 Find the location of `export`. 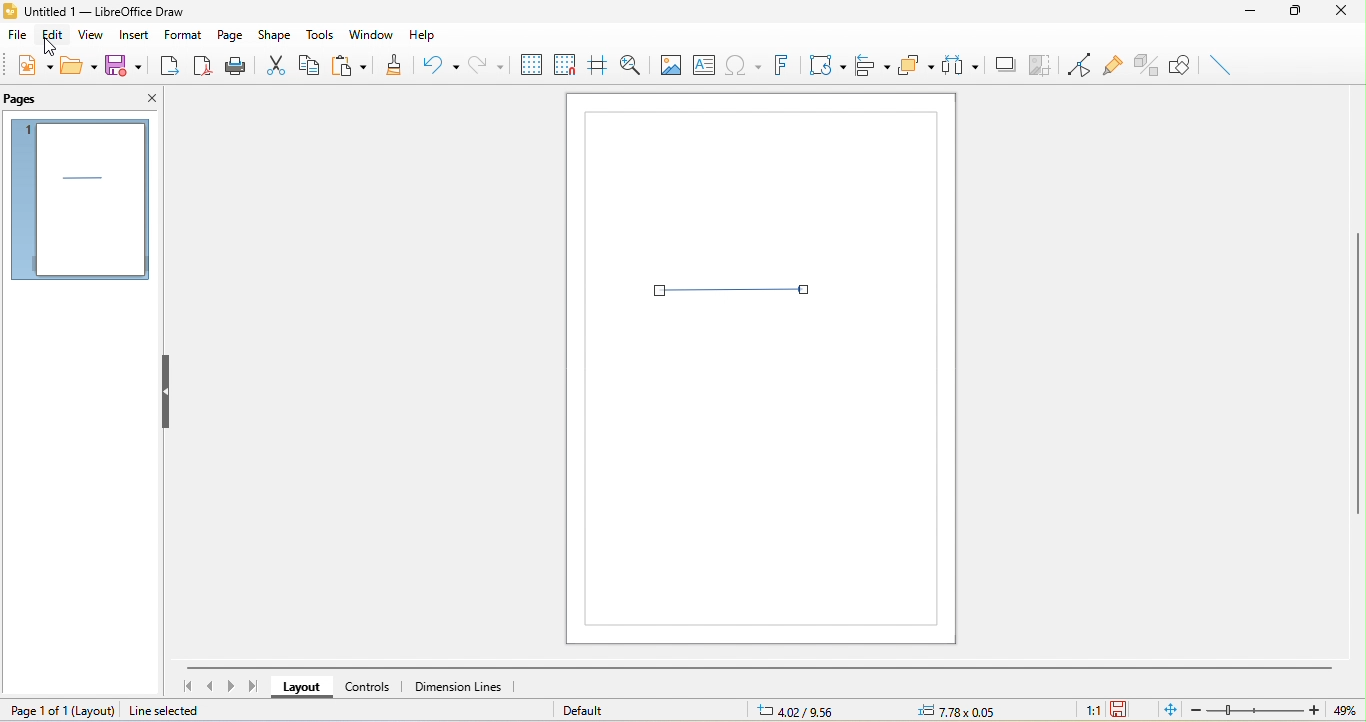

export is located at coordinates (172, 68).